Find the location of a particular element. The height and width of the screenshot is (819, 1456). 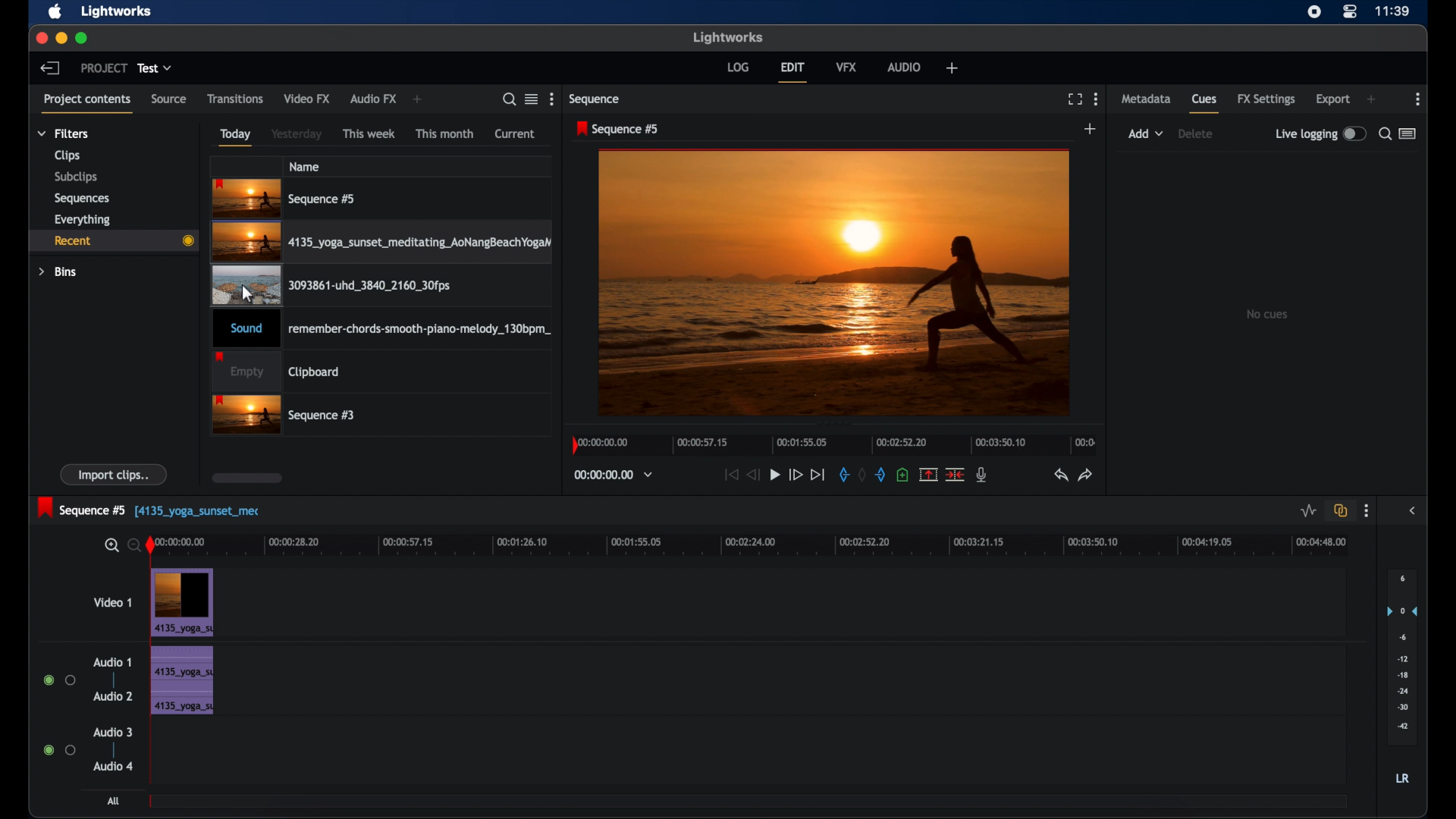

set audio output levels is located at coordinates (1401, 657).